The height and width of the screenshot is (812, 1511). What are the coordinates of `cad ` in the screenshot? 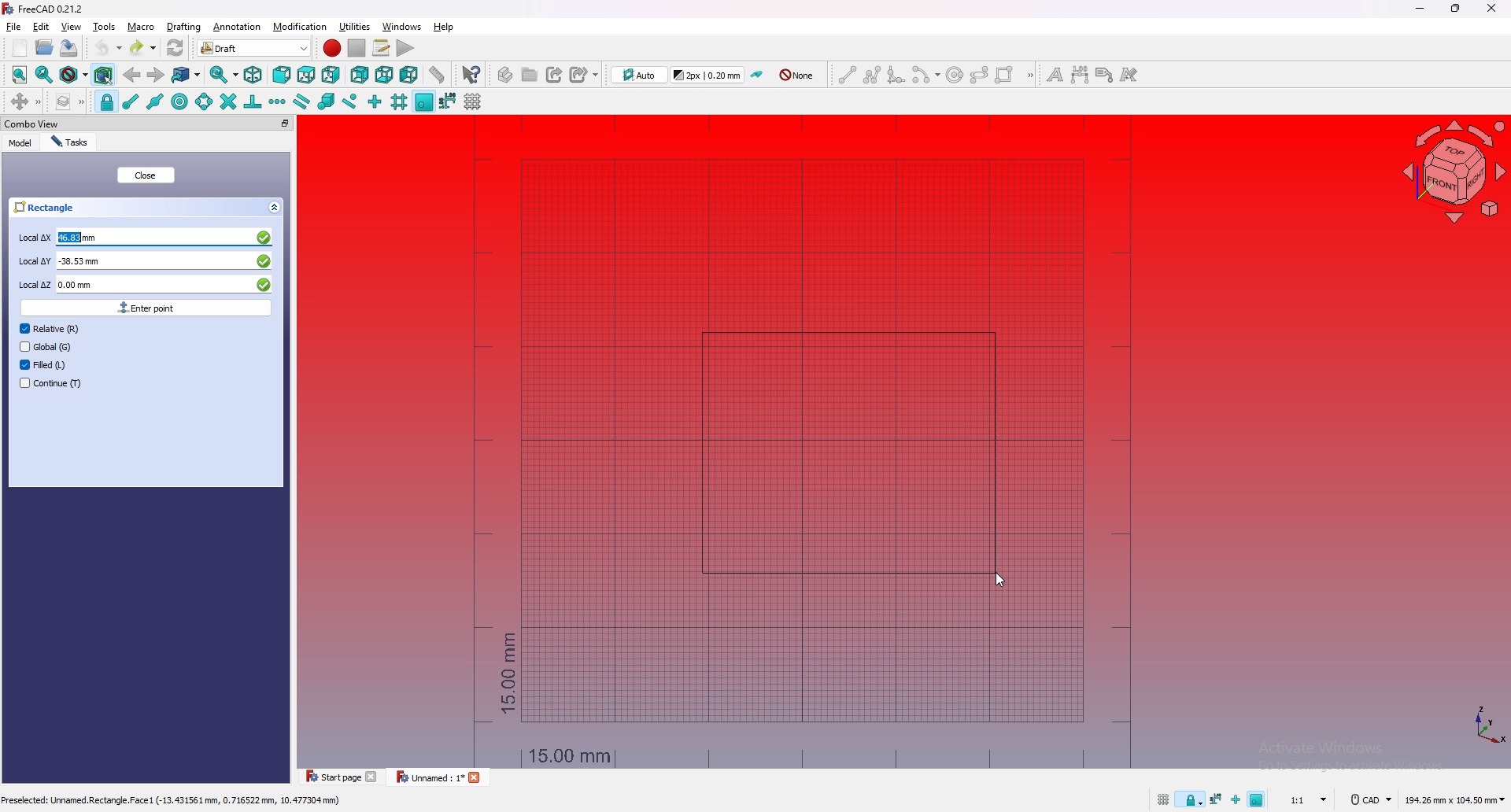 It's located at (1369, 800).